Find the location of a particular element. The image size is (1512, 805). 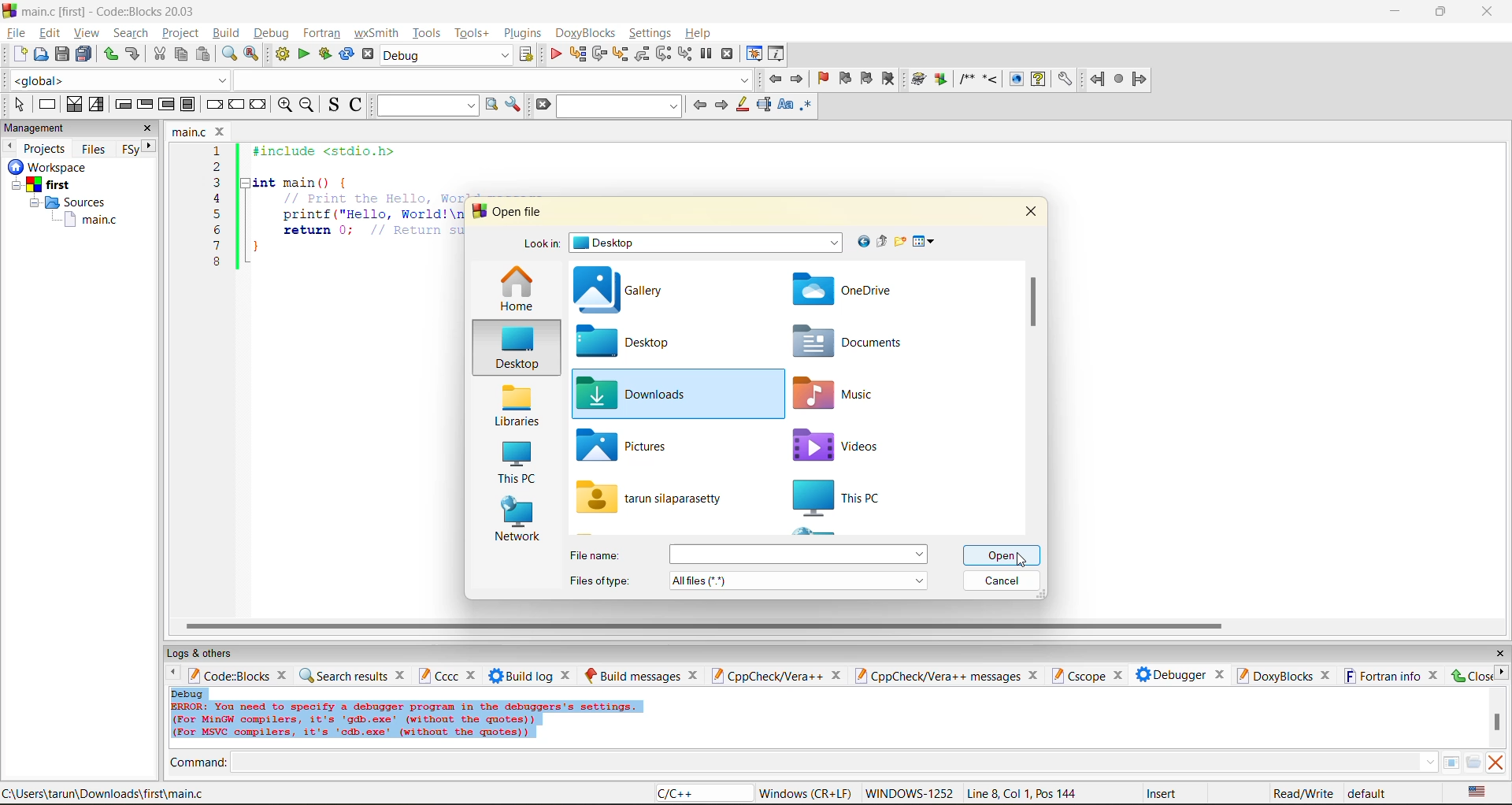

decision is located at coordinates (73, 104).